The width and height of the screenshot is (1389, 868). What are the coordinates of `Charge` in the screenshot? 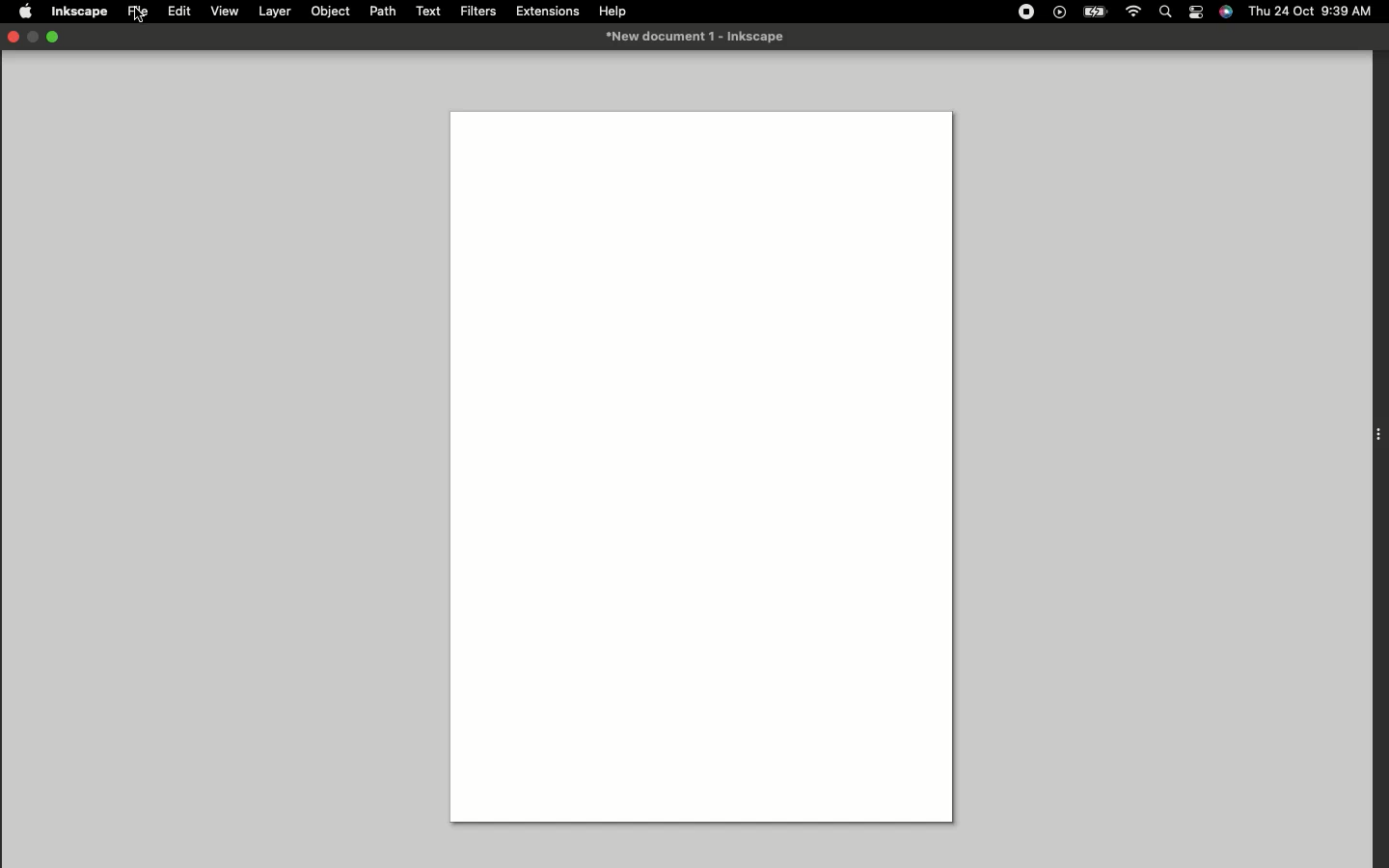 It's located at (1096, 14).